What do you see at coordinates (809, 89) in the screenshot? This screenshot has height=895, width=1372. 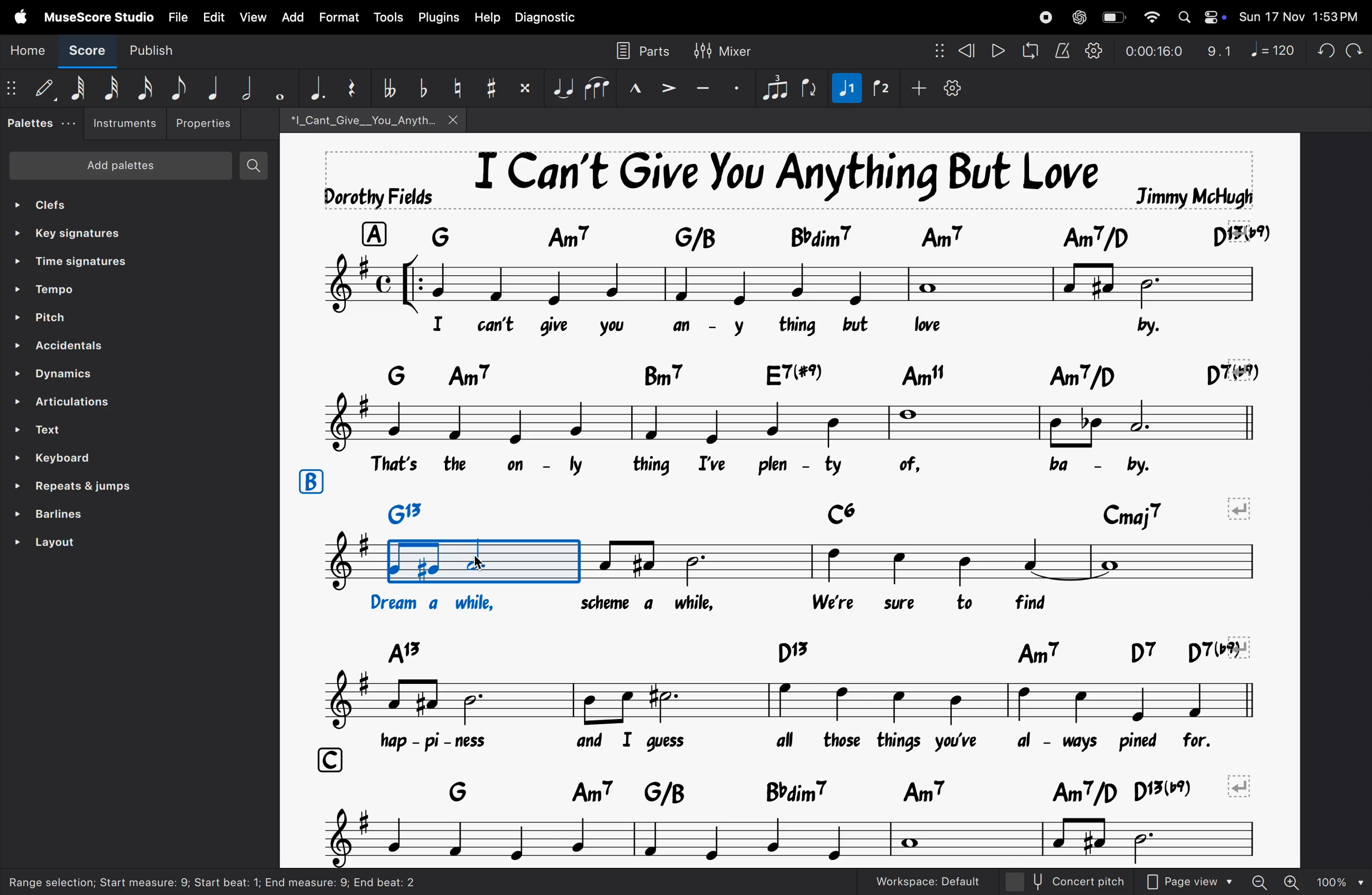 I see `flip rection` at bounding box center [809, 89].